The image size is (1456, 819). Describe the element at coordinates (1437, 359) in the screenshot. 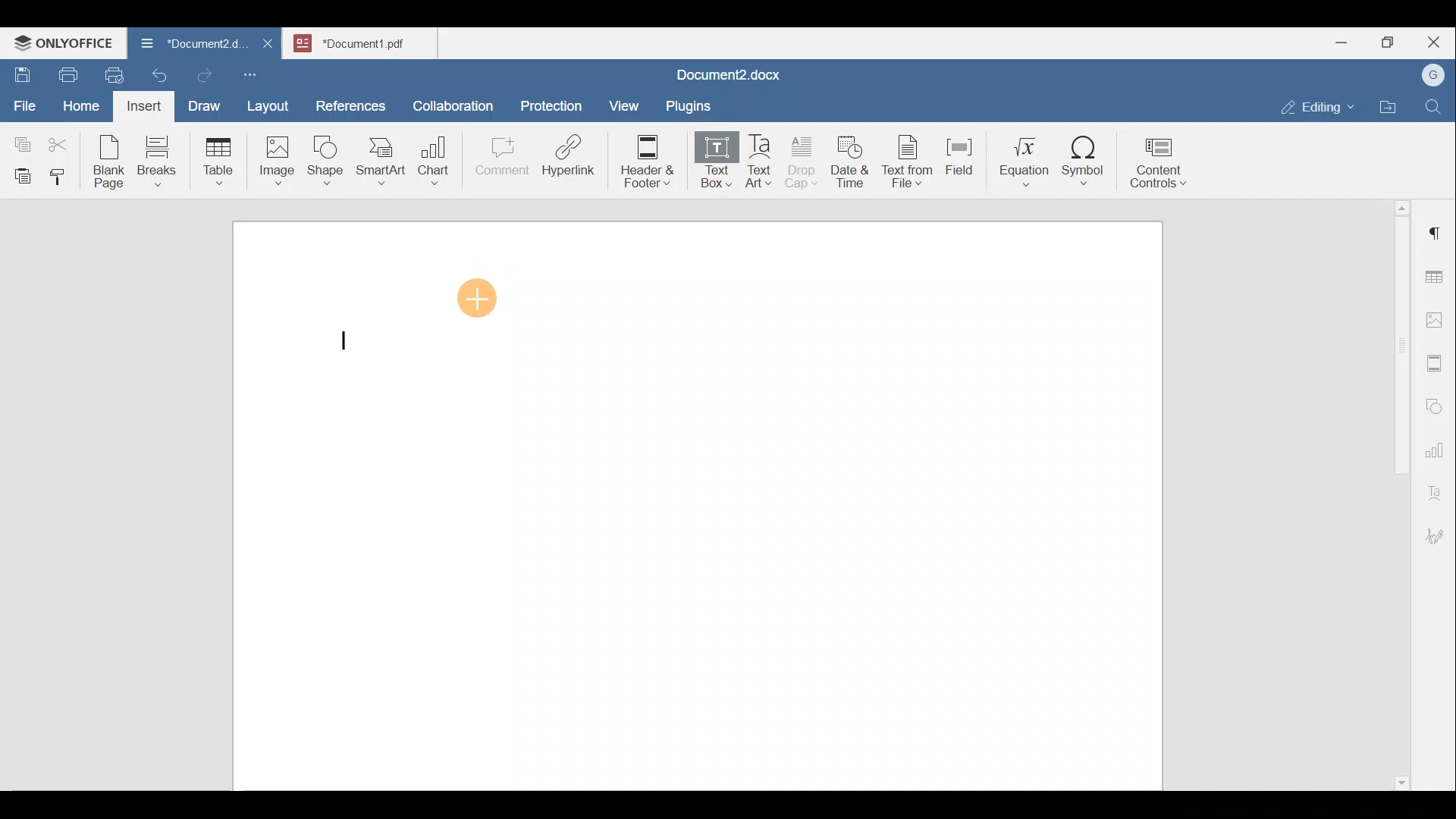

I see `Headers & footers` at that location.